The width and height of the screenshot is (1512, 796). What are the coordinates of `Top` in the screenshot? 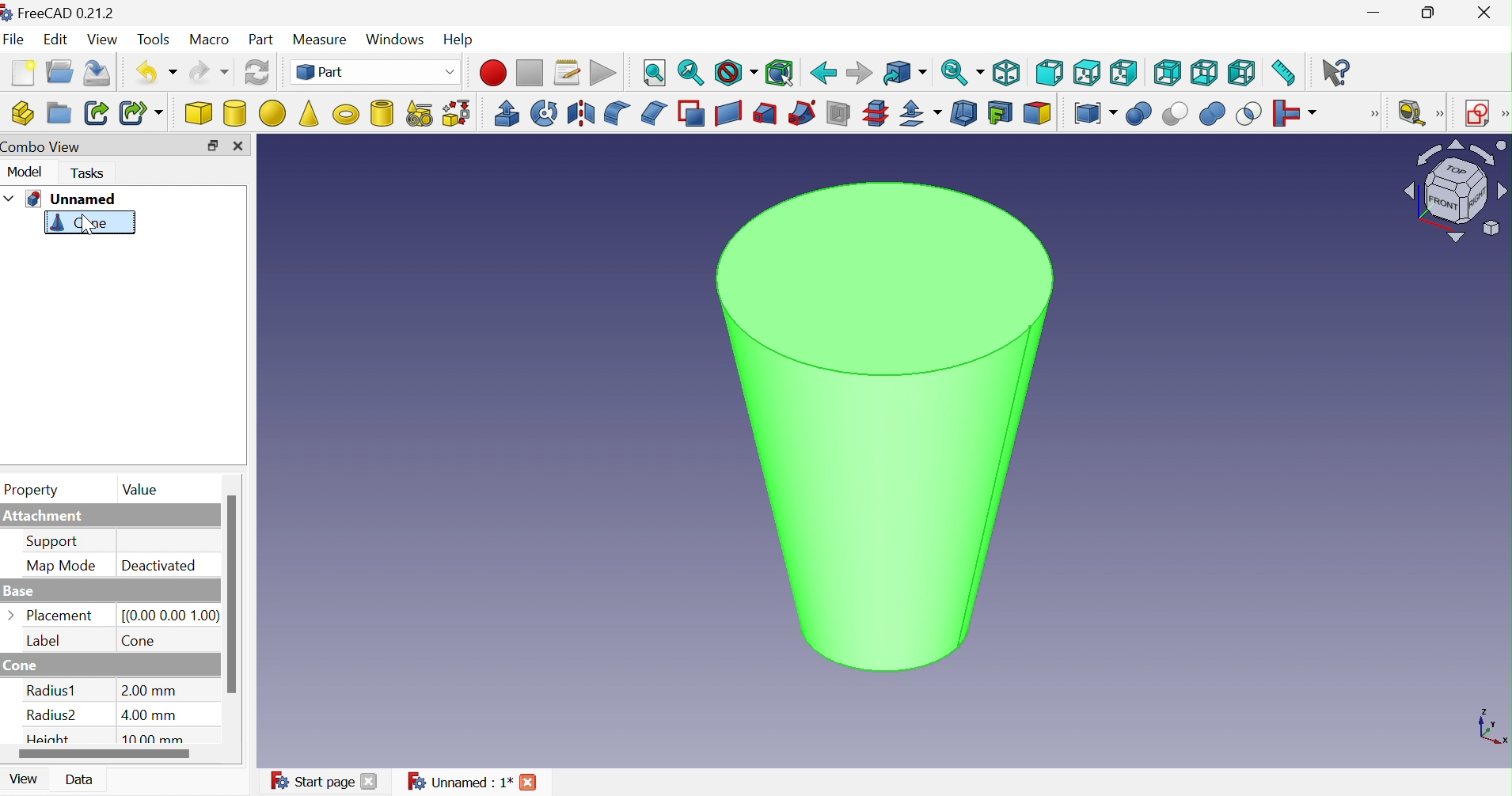 It's located at (1089, 74).